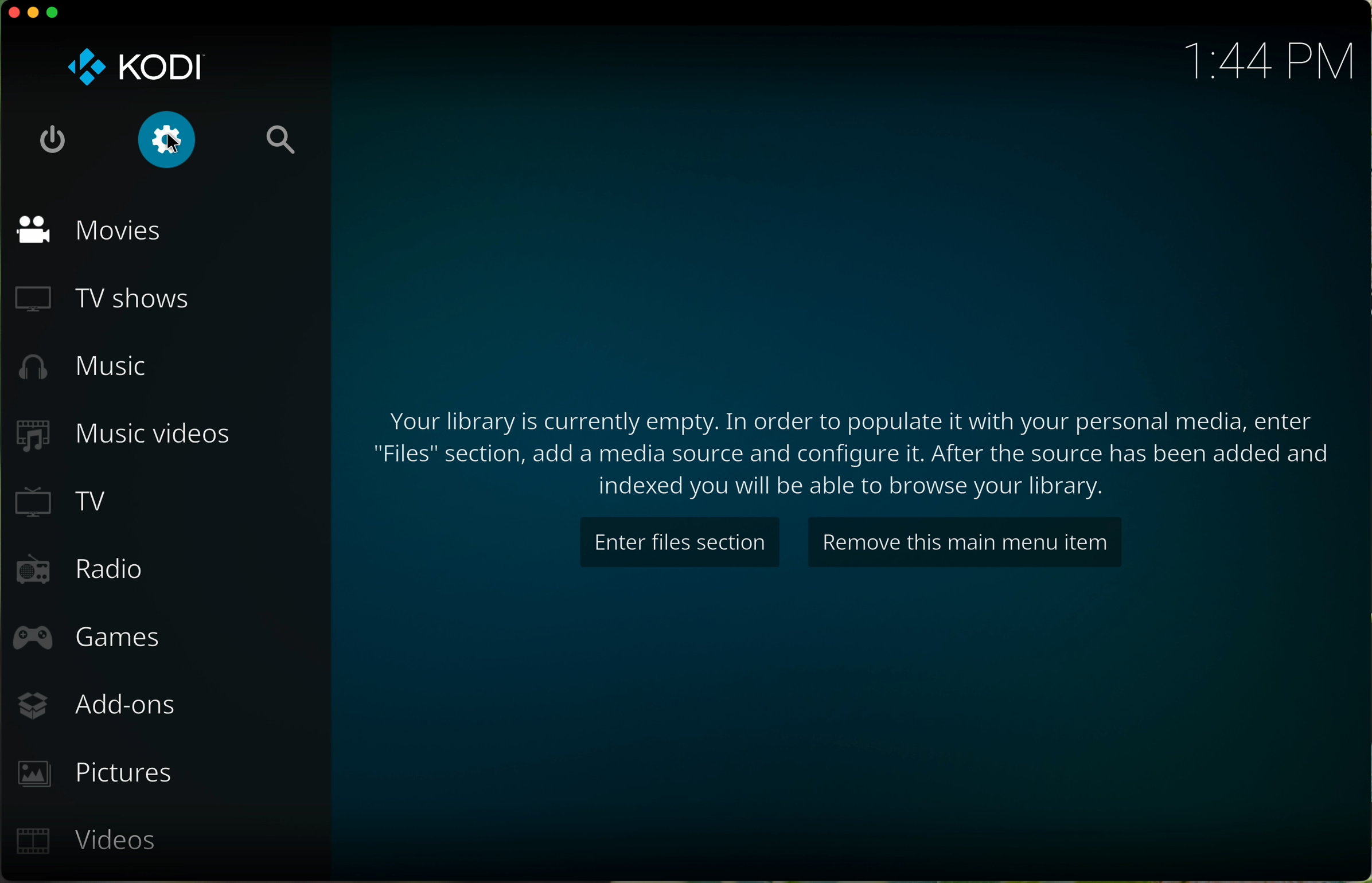  What do you see at coordinates (1272, 62) in the screenshot?
I see `hour` at bounding box center [1272, 62].